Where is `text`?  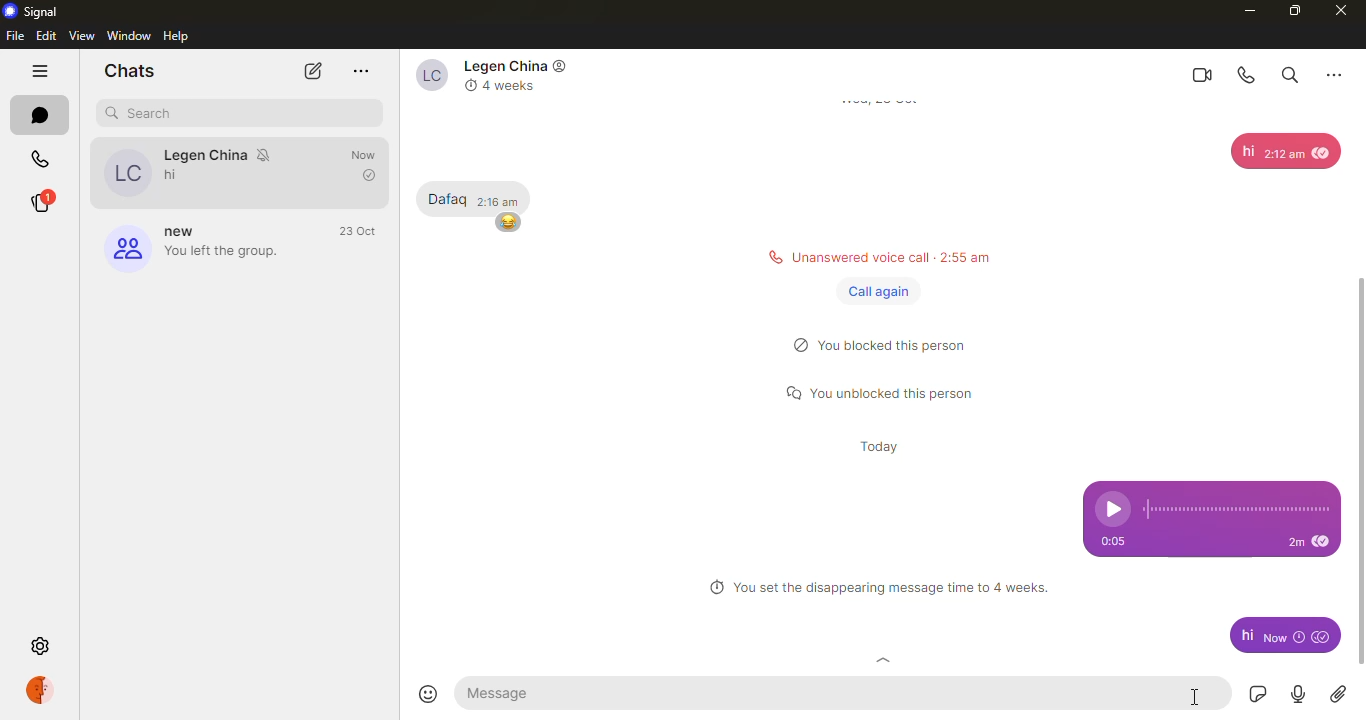 text is located at coordinates (1246, 633).